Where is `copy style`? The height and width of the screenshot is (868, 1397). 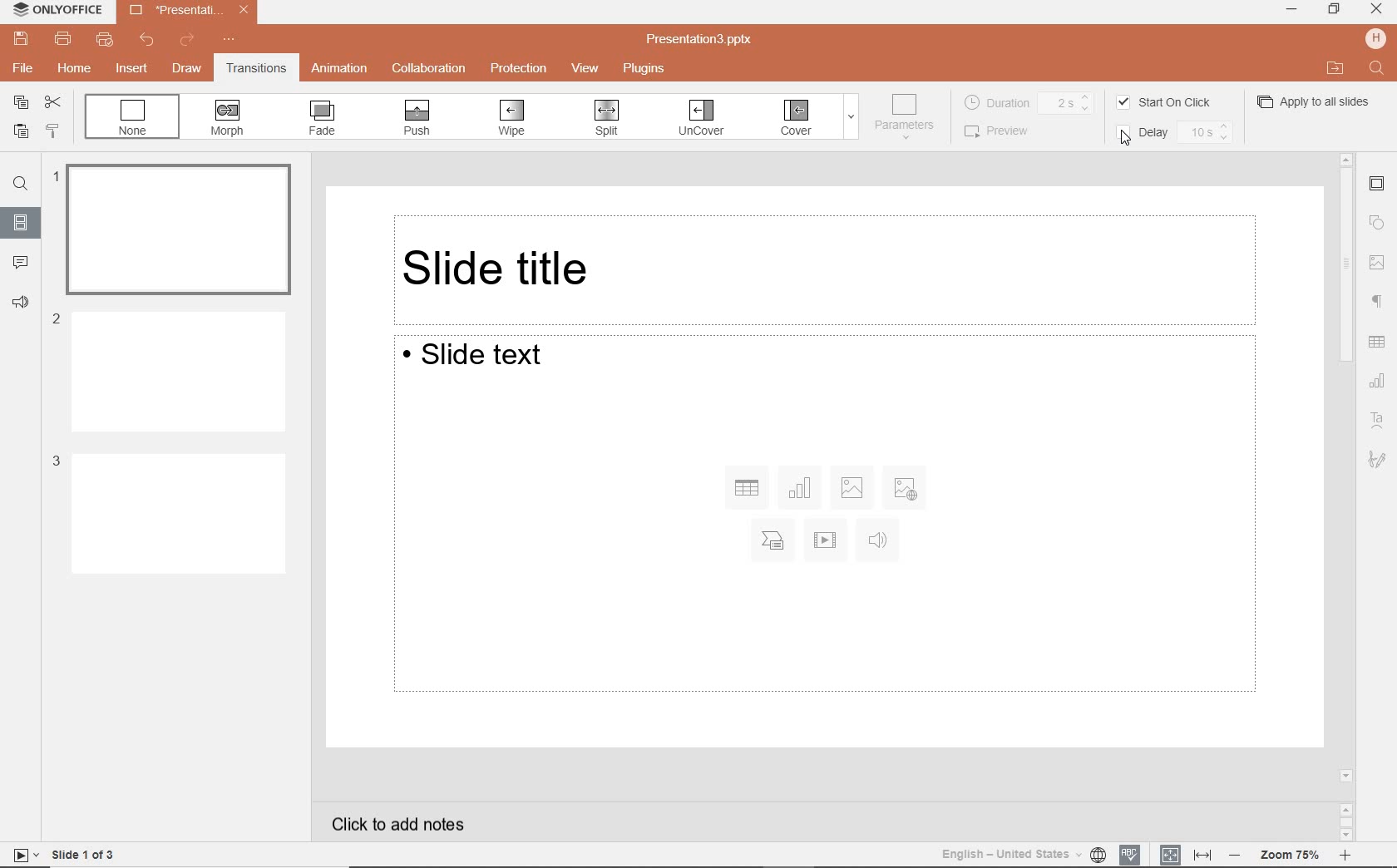 copy style is located at coordinates (51, 132).